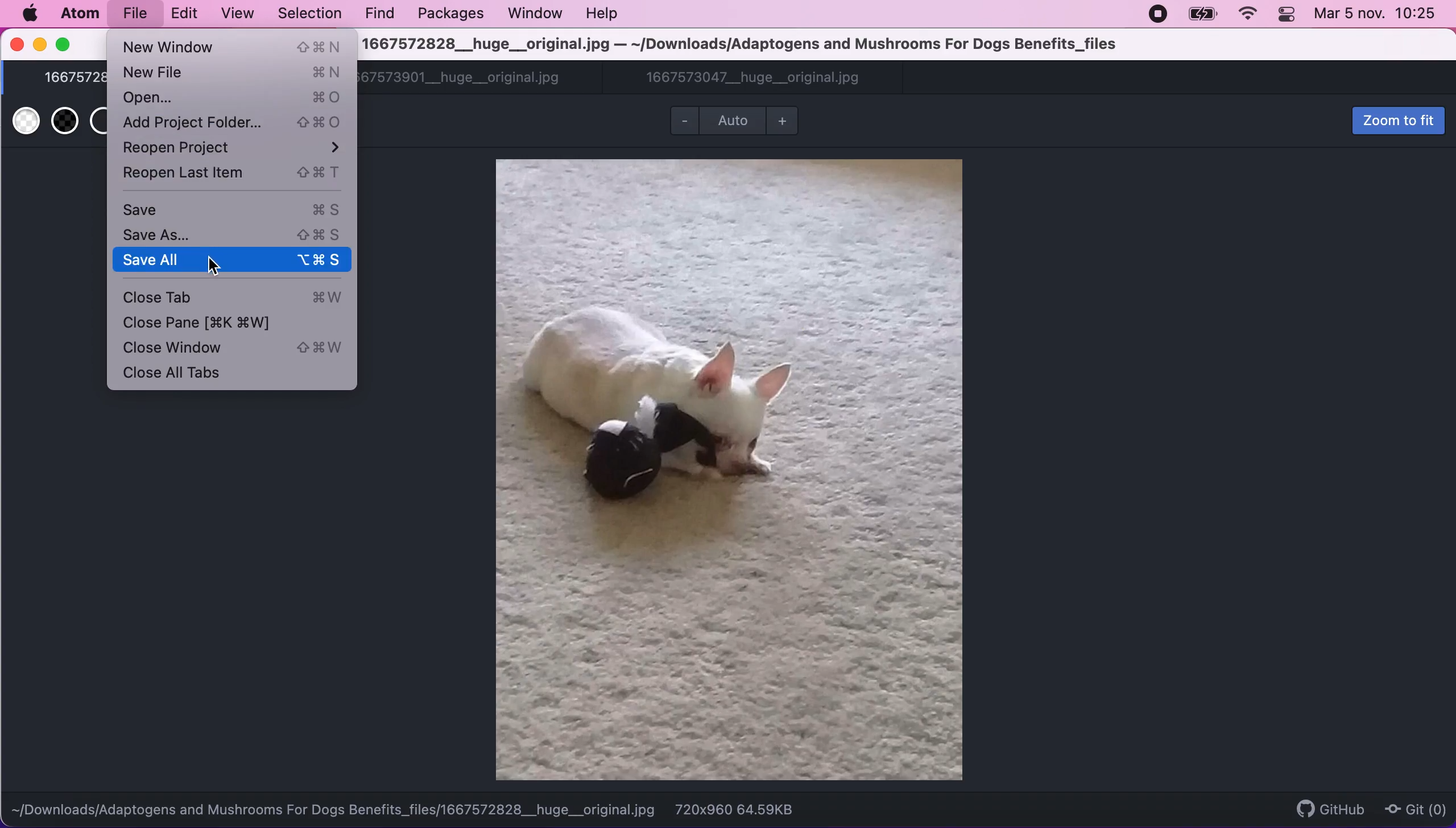 The width and height of the screenshot is (1456, 828). I want to click on 1667572828__huge__original.jpg — ~/Downloads/Adaptogens and Mushrooms For Dogs Benefits_files, so click(743, 44).